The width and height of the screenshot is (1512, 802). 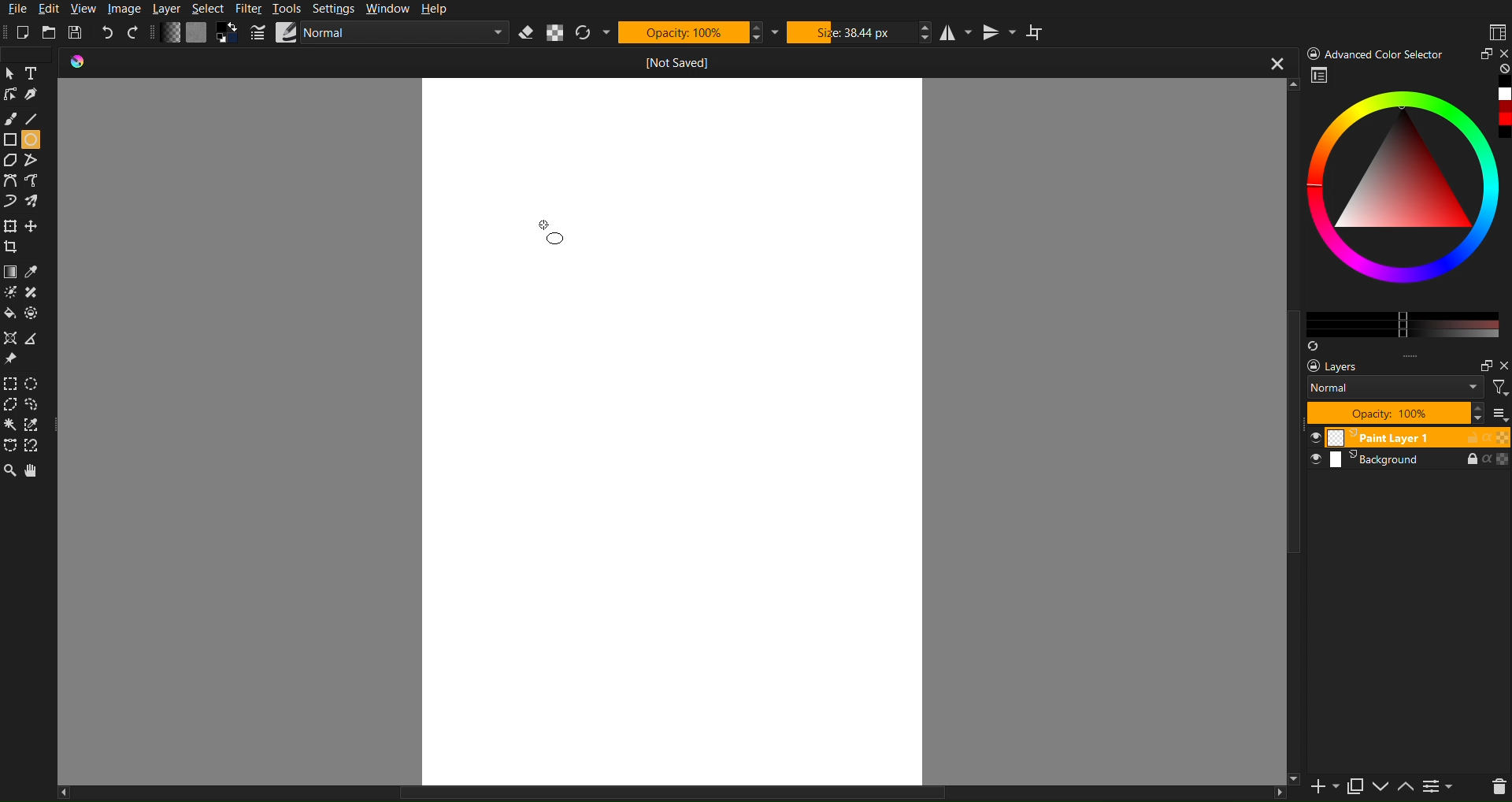 What do you see at coordinates (9, 295) in the screenshot?
I see `Brightness tool` at bounding box center [9, 295].